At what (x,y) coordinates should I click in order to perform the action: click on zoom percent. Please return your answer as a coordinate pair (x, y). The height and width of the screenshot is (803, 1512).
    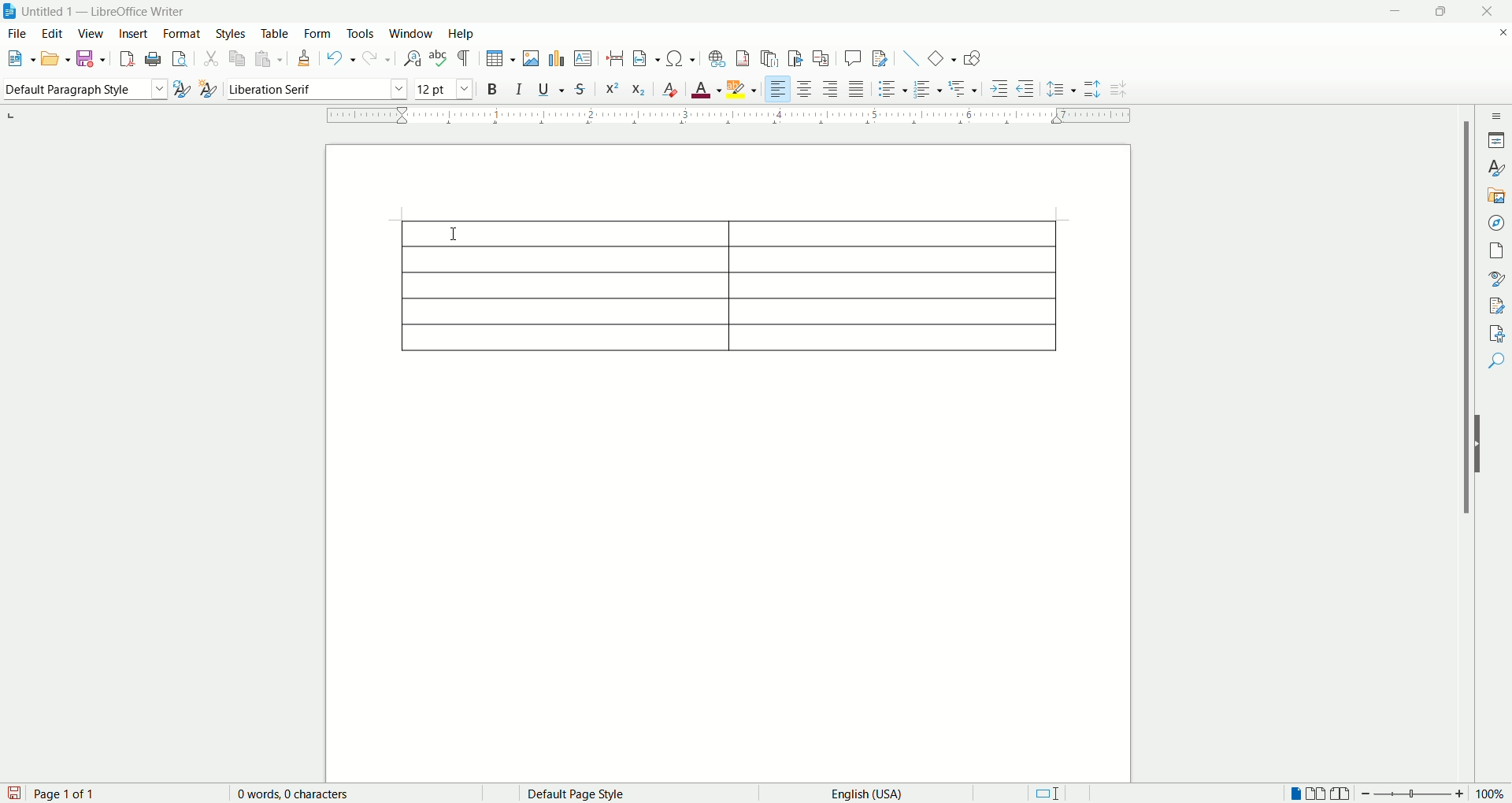
    Looking at the image, I should click on (1492, 793).